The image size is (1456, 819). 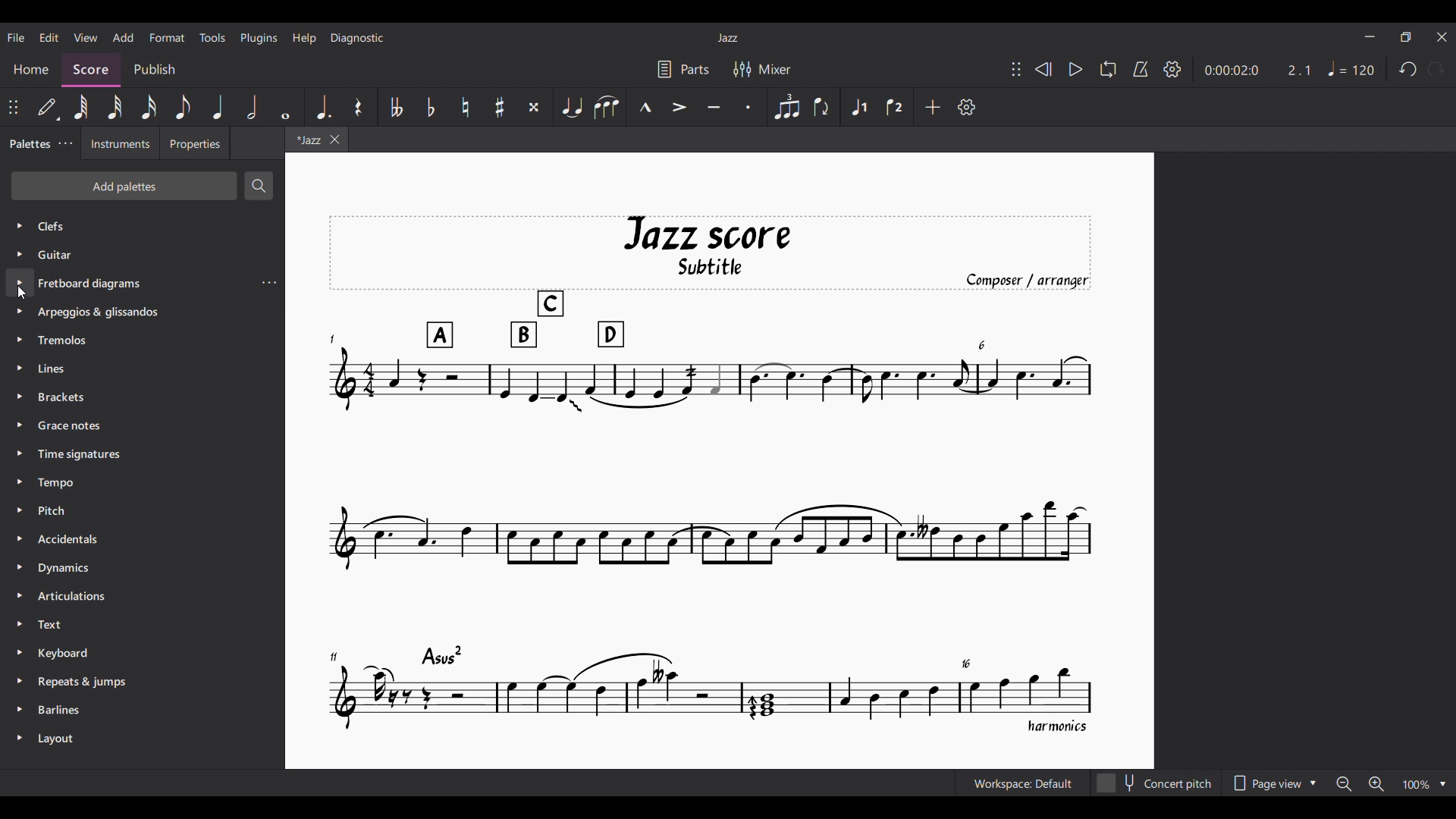 What do you see at coordinates (786, 108) in the screenshot?
I see `Tuplet` at bounding box center [786, 108].